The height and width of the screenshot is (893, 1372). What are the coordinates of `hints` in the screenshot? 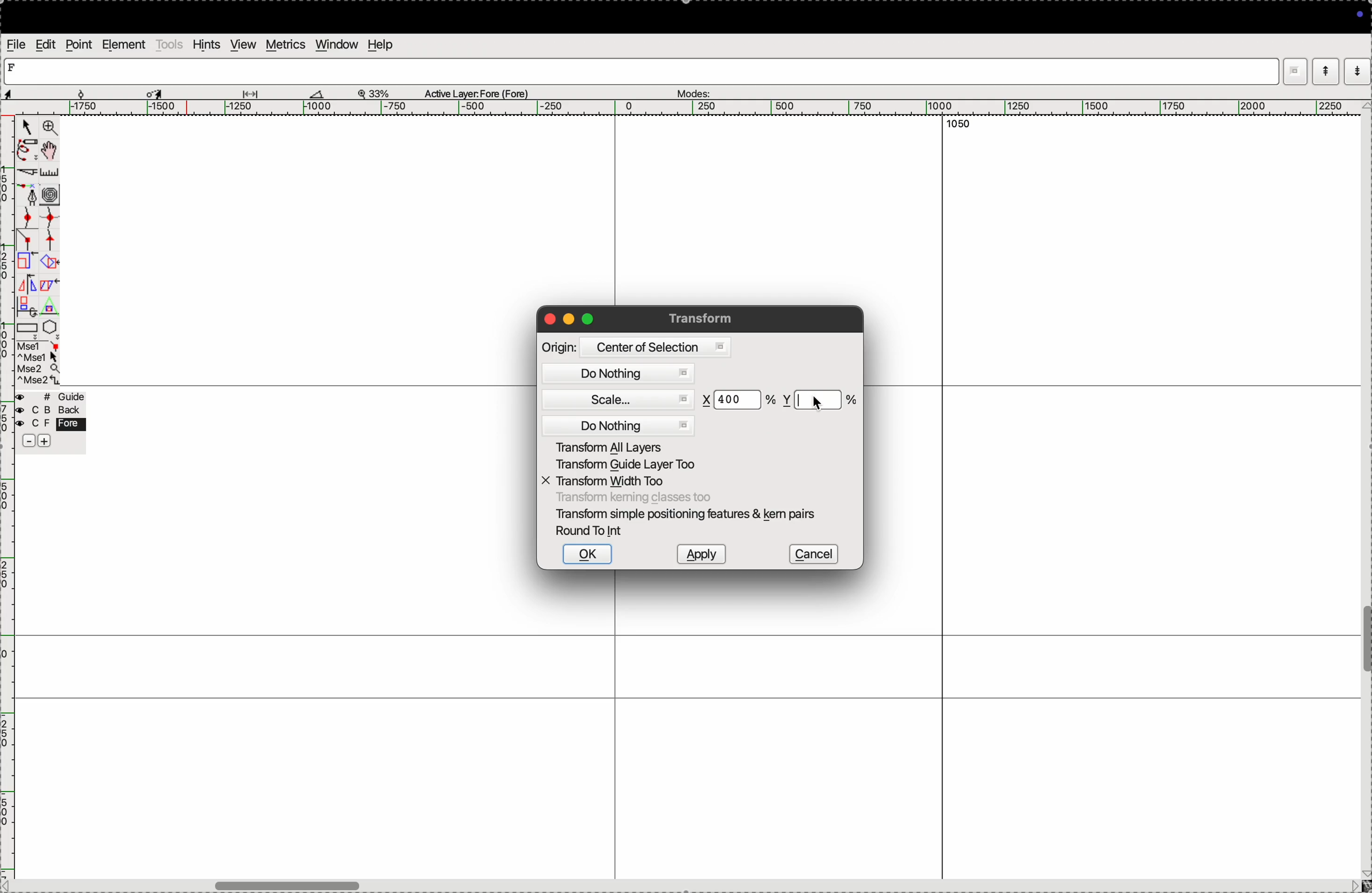 It's located at (207, 44).